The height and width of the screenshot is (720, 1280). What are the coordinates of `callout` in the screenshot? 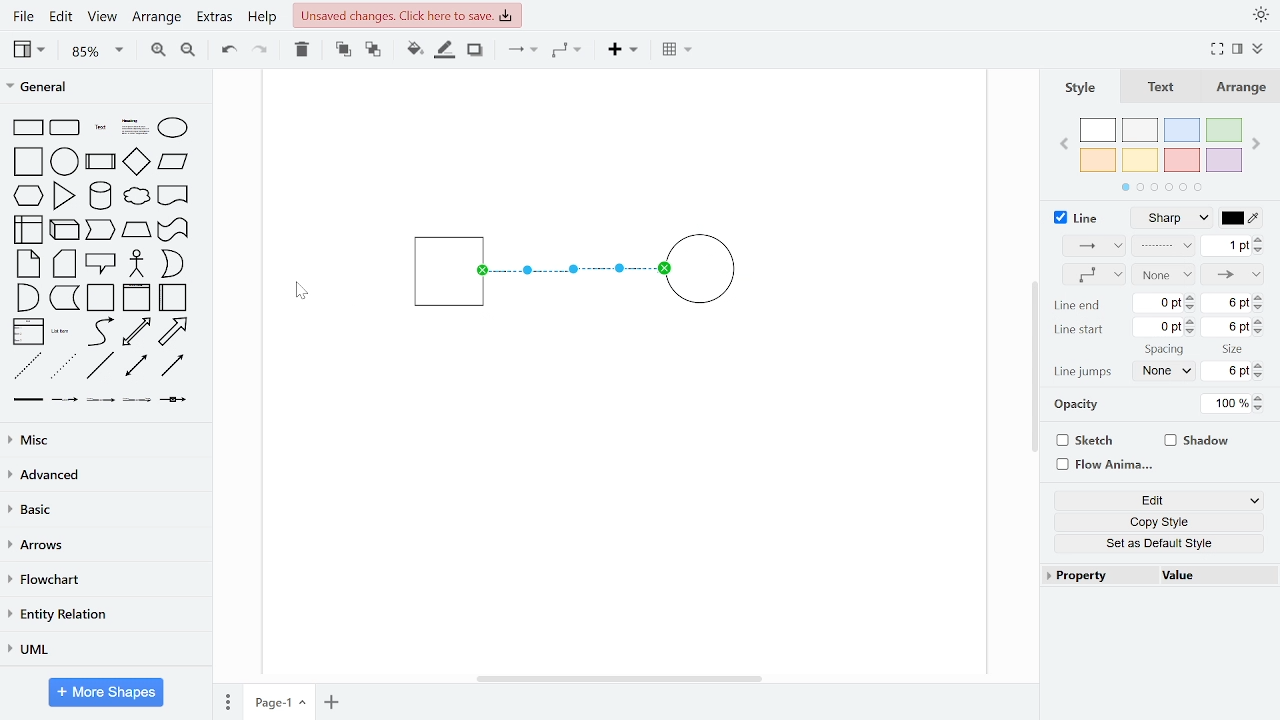 It's located at (102, 264).